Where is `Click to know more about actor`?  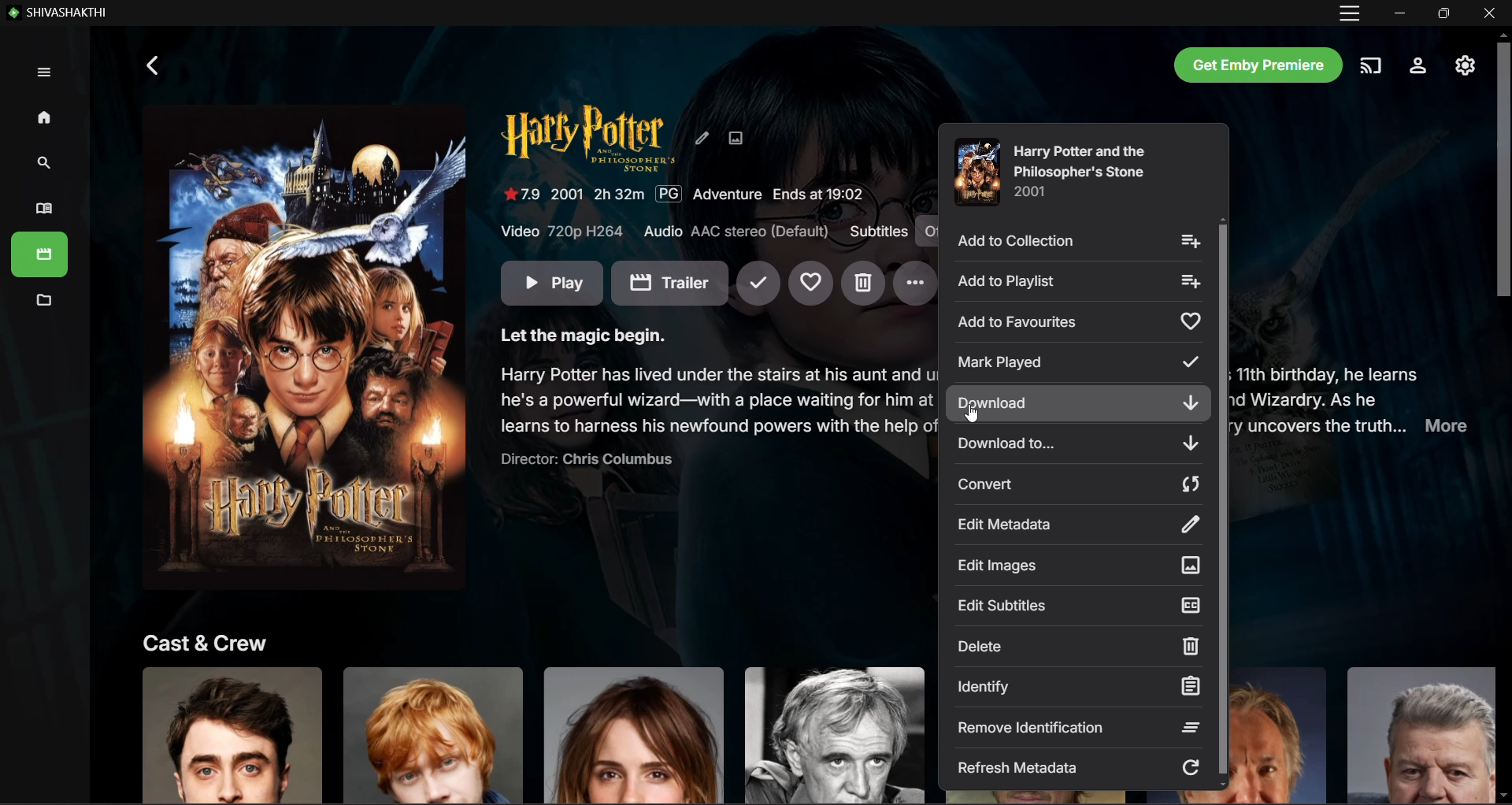 Click to know more about actor is located at coordinates (1415, 734).